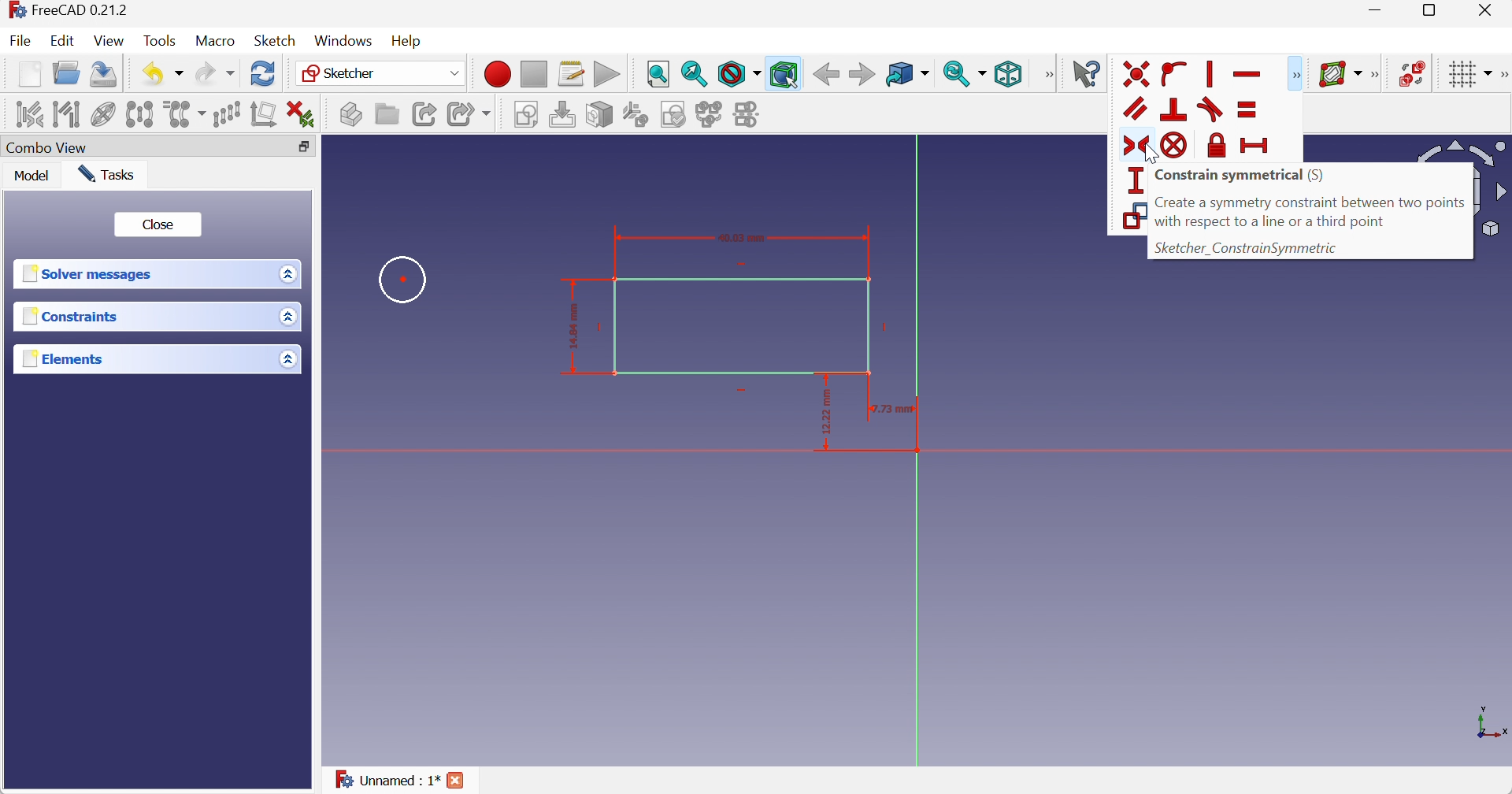 The width and height of the screenshot is (1512, 794). What do you see at coordinates (1246, 248) in the screenshot?
I see `Sketcher_ConstrainSymmetric` at bounding box center [1246, 248].